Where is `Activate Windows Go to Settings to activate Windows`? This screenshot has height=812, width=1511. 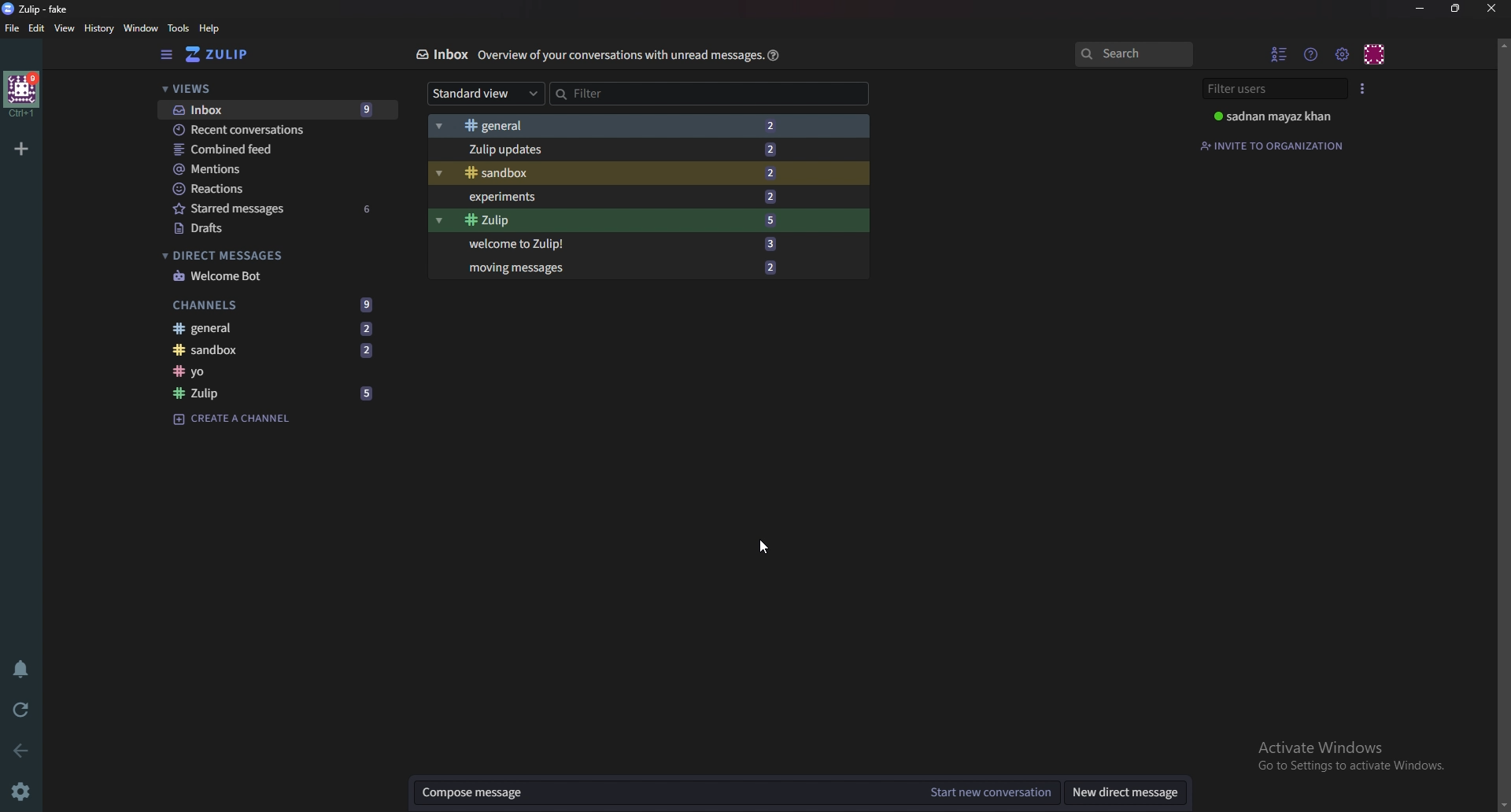
Activate Windows Go to Settings to activate Windows is located at coordinates (1349, 755).